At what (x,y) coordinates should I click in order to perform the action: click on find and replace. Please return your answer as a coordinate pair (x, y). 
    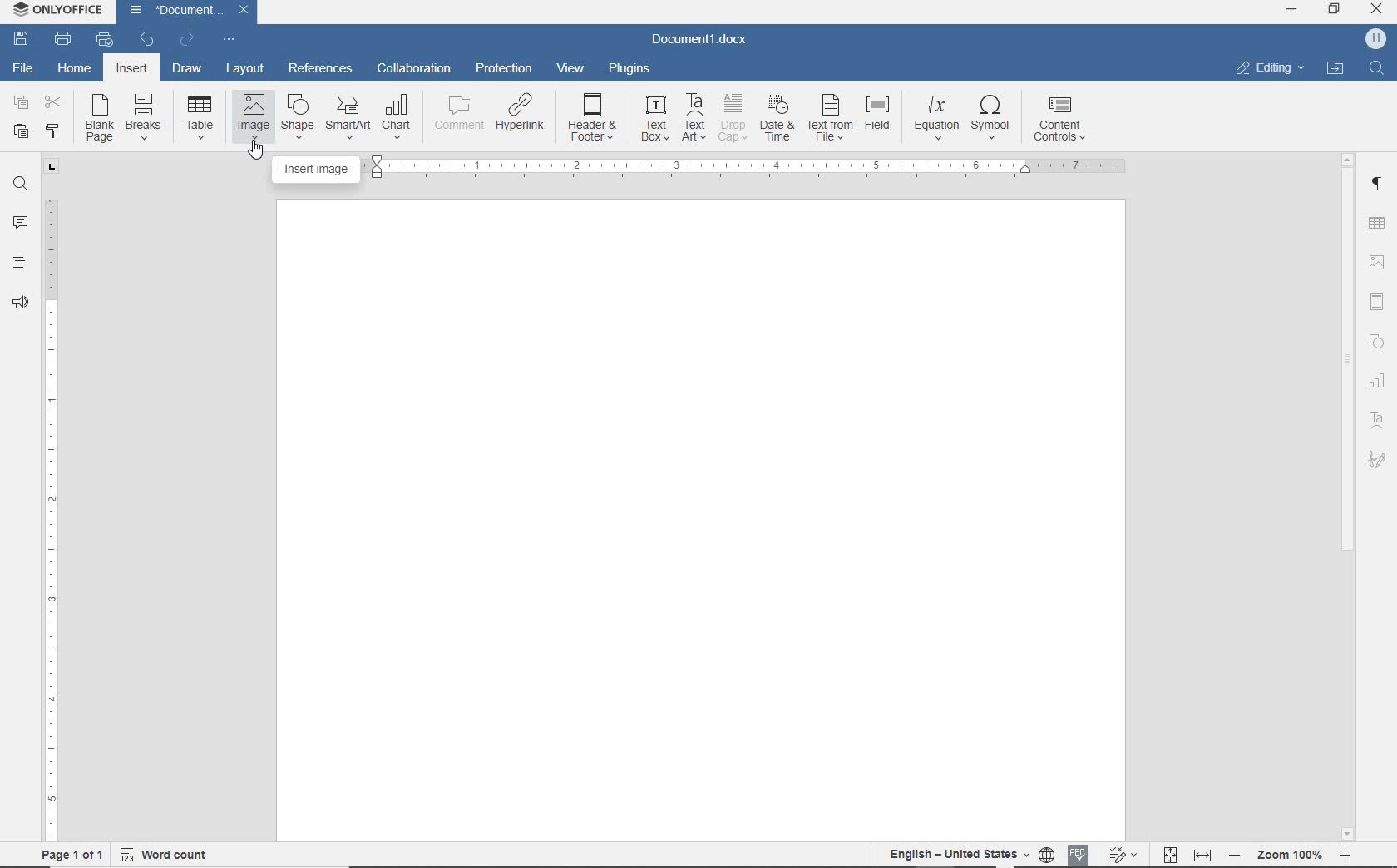
    Looking at the image, I should click on (23, 184).